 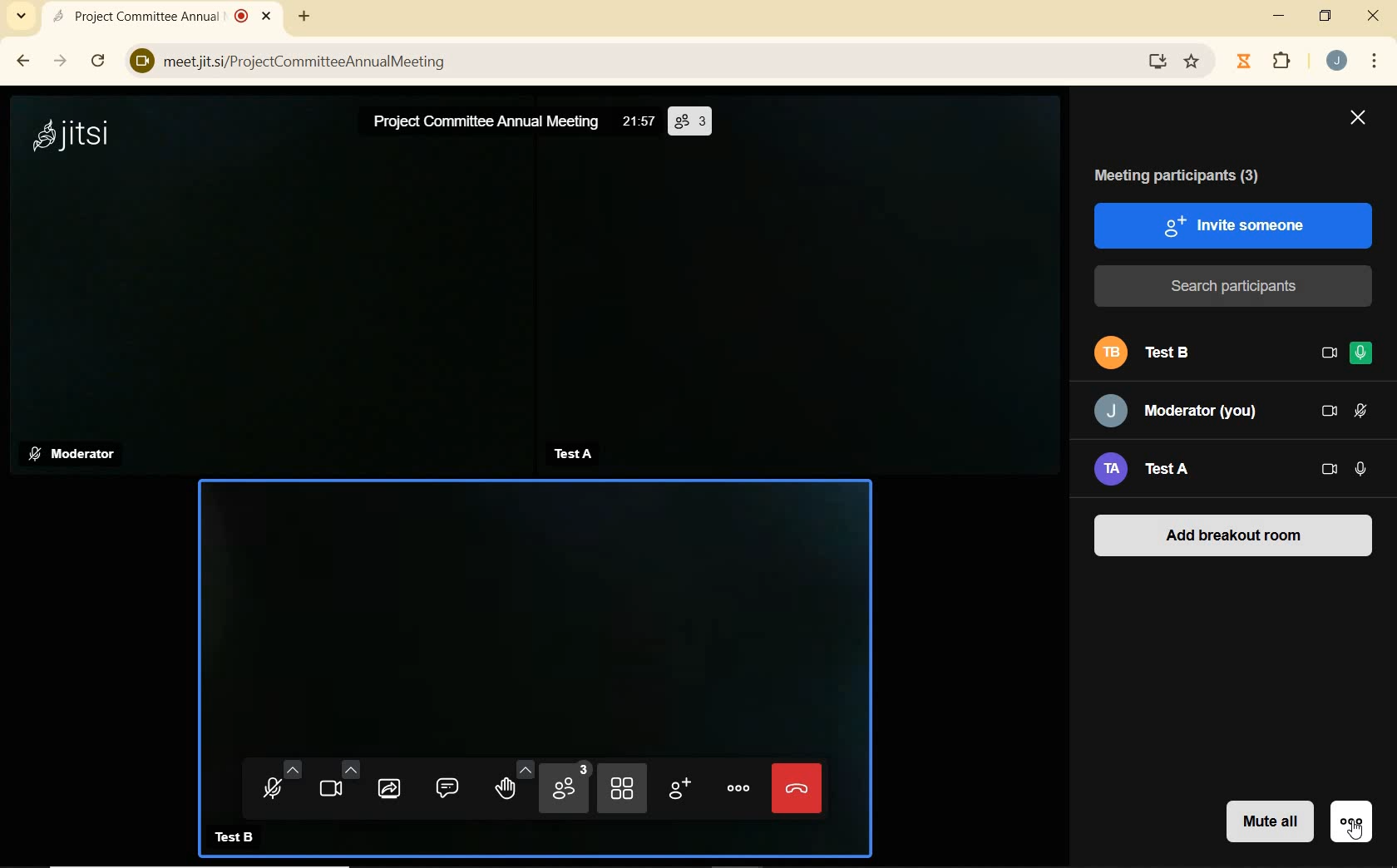 What do you see at coordinates (1362, 411) in the screenshot?
I see `MICROPHONE` at bounding box center [1362, 411].